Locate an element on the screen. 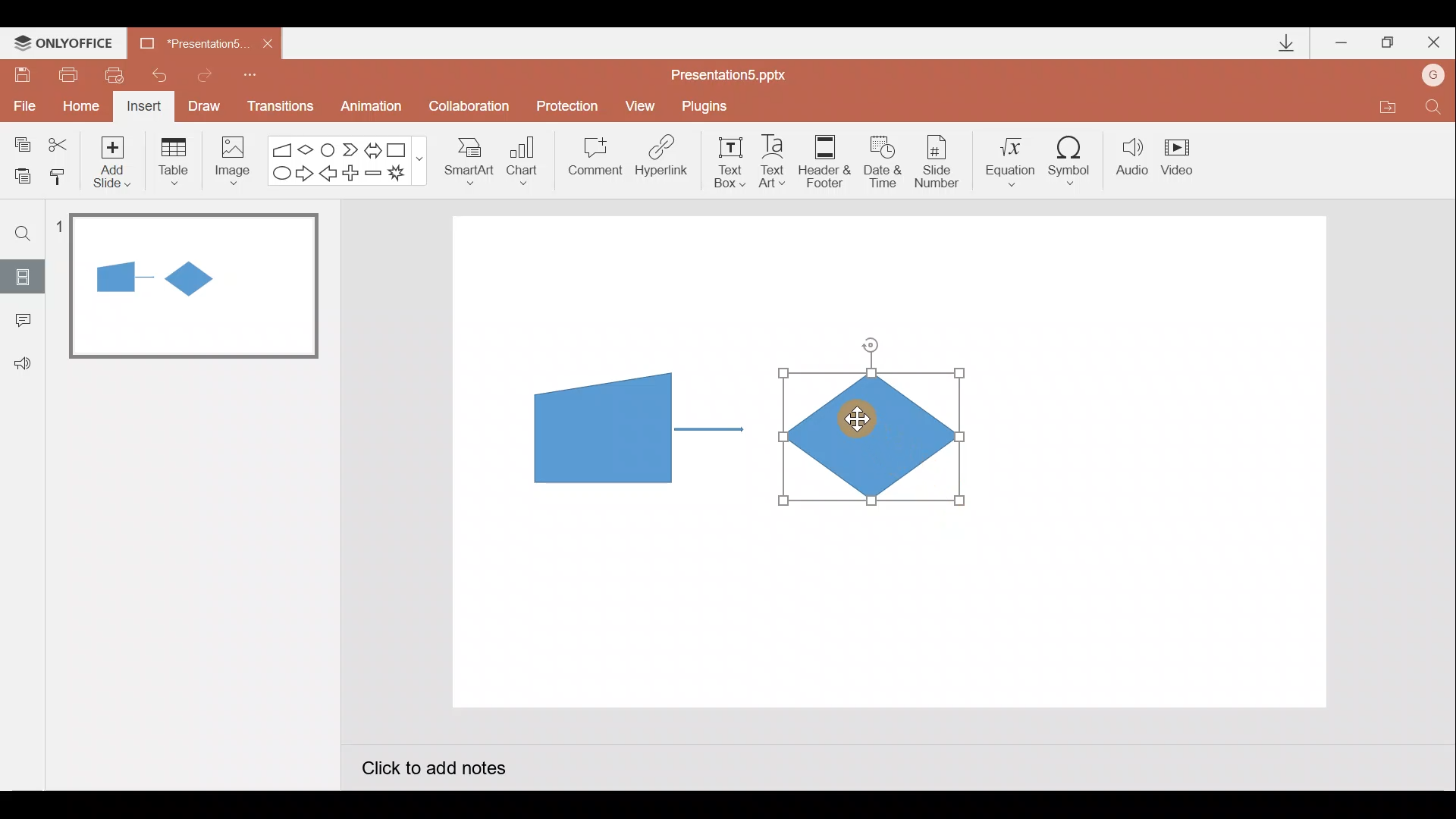 The image size is (1456, 819). Home is located at coordinates (77, 102).